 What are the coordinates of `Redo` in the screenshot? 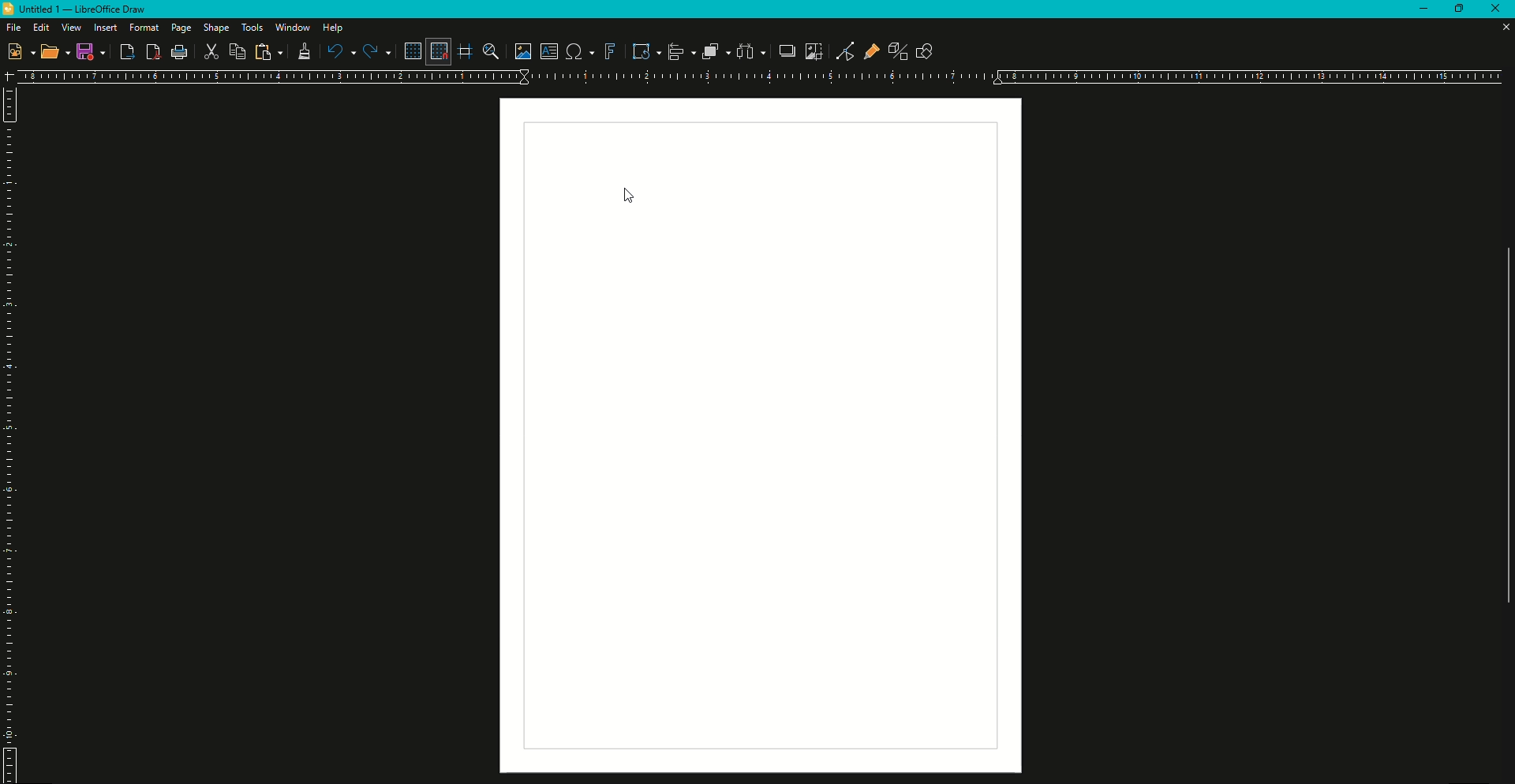 It's located at (377, 51).